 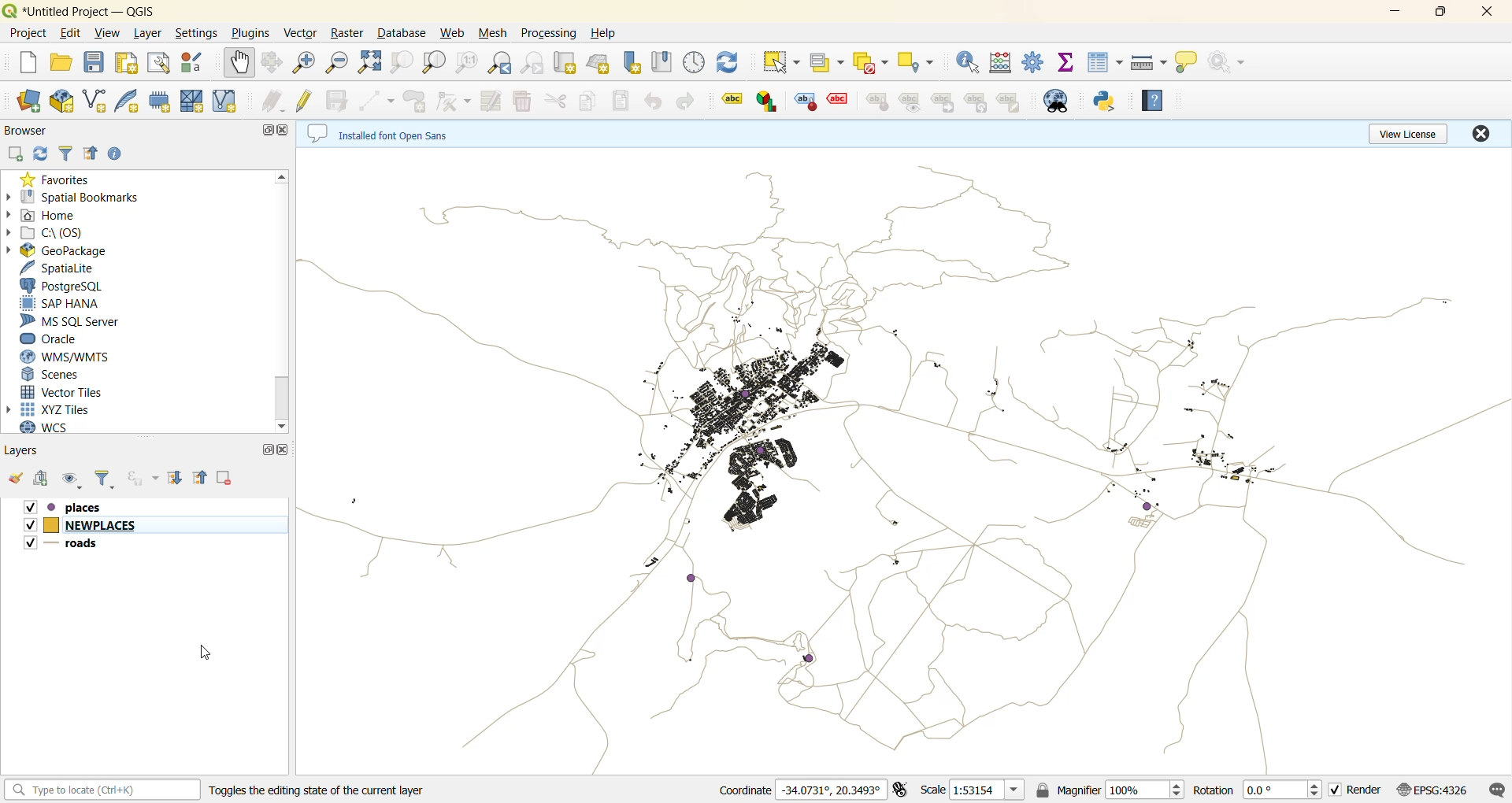 I want to click on collapse all, so click(x=91, y=153).